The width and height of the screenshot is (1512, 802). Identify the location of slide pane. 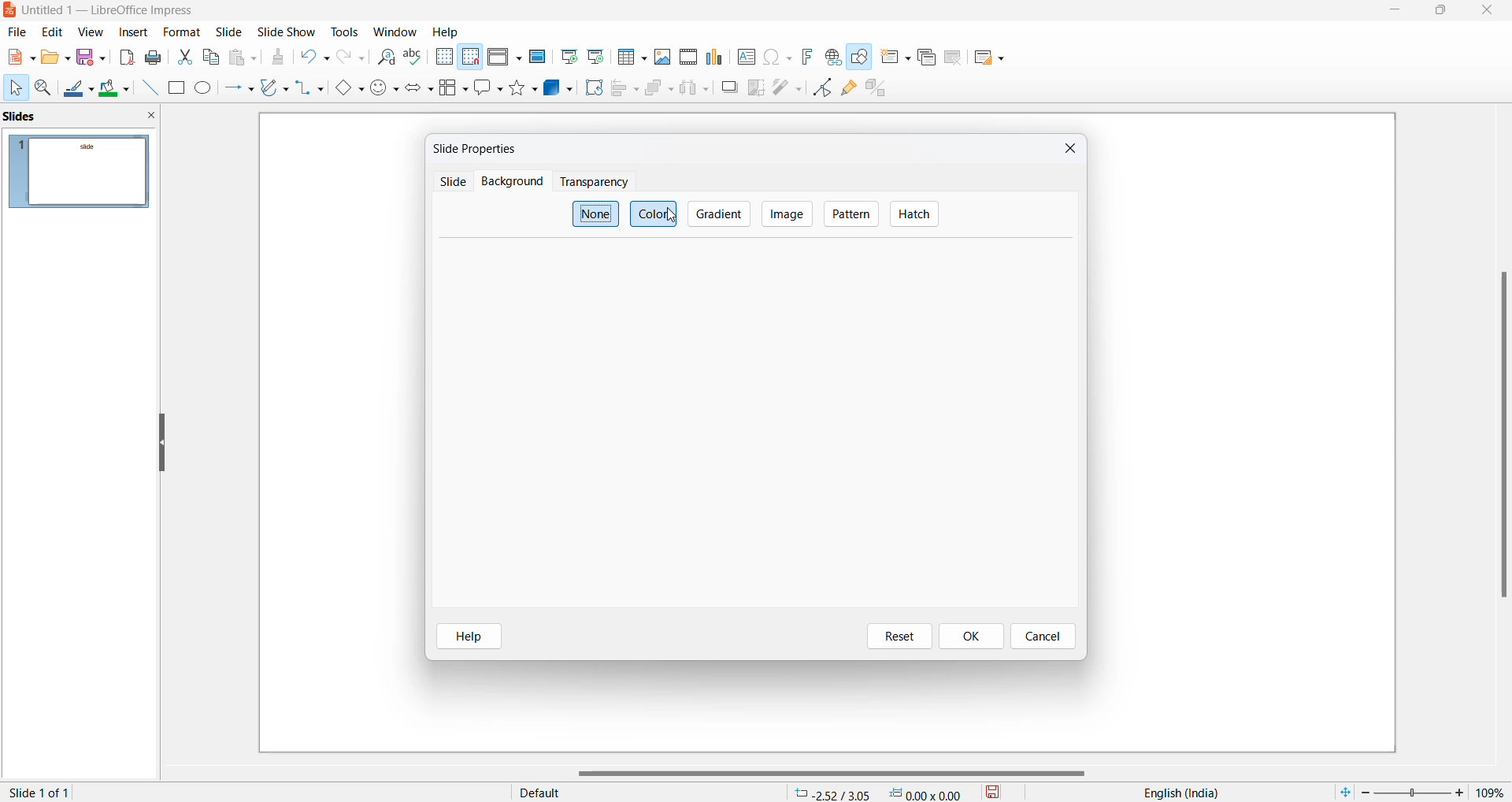
(79, 118).